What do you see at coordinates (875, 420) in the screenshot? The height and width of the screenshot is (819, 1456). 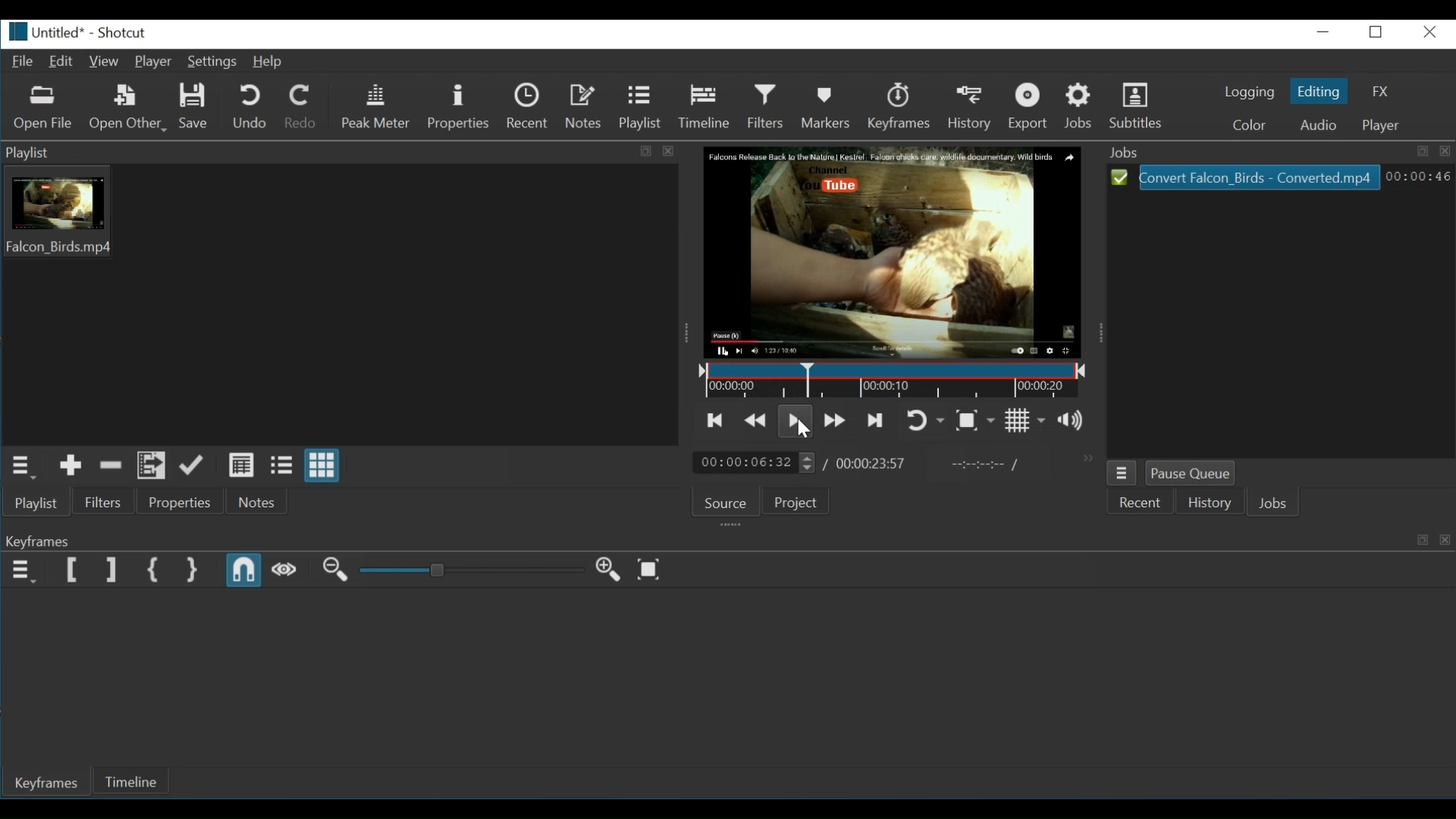 I see `Skip to the next point` at bounding box center [875, 420].